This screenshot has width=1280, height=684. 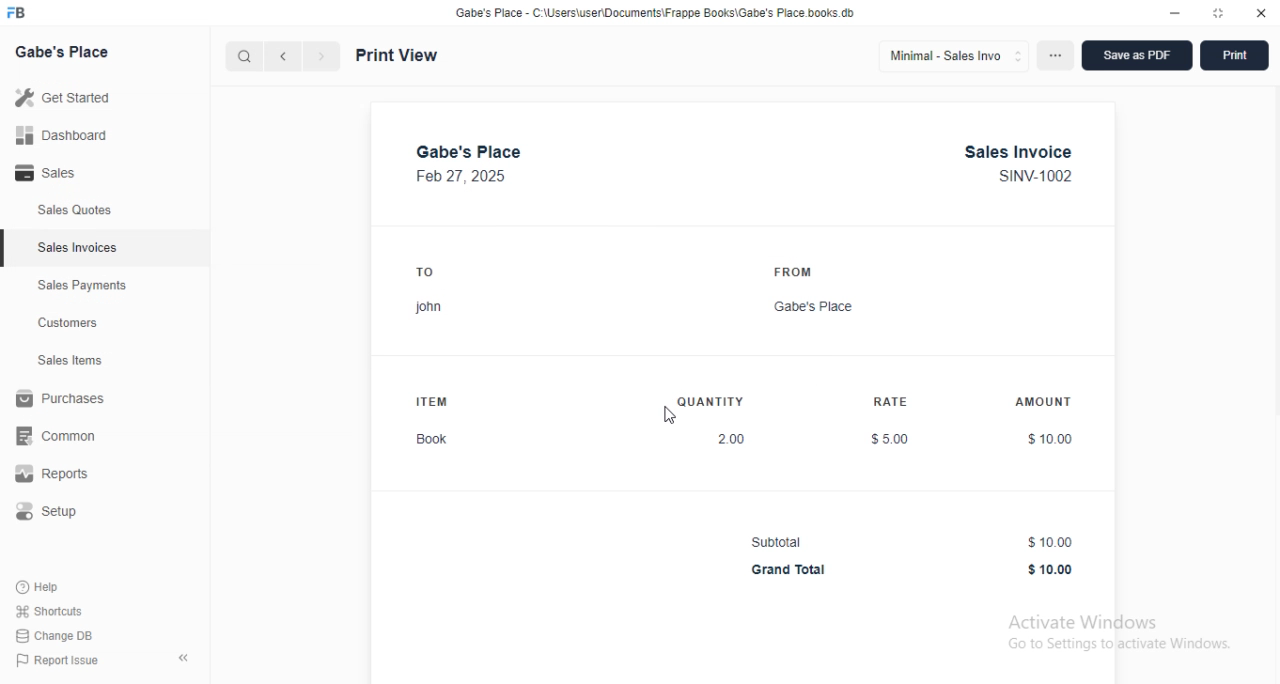 What do you see at coordinates (82, 285) in the screenshot?
I see `sales payments` at bounding box center [82, 285].